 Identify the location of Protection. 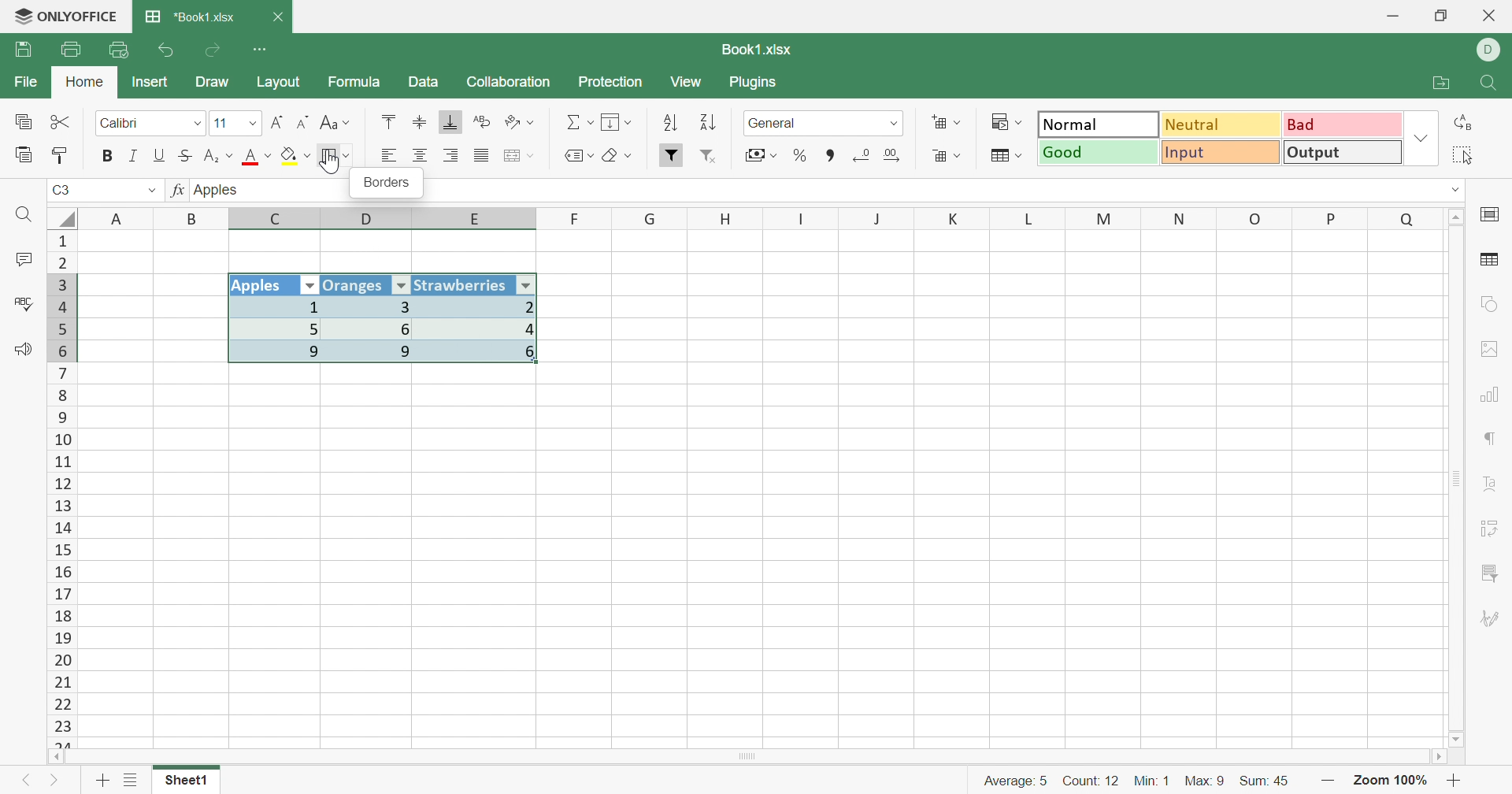
(612, 83).